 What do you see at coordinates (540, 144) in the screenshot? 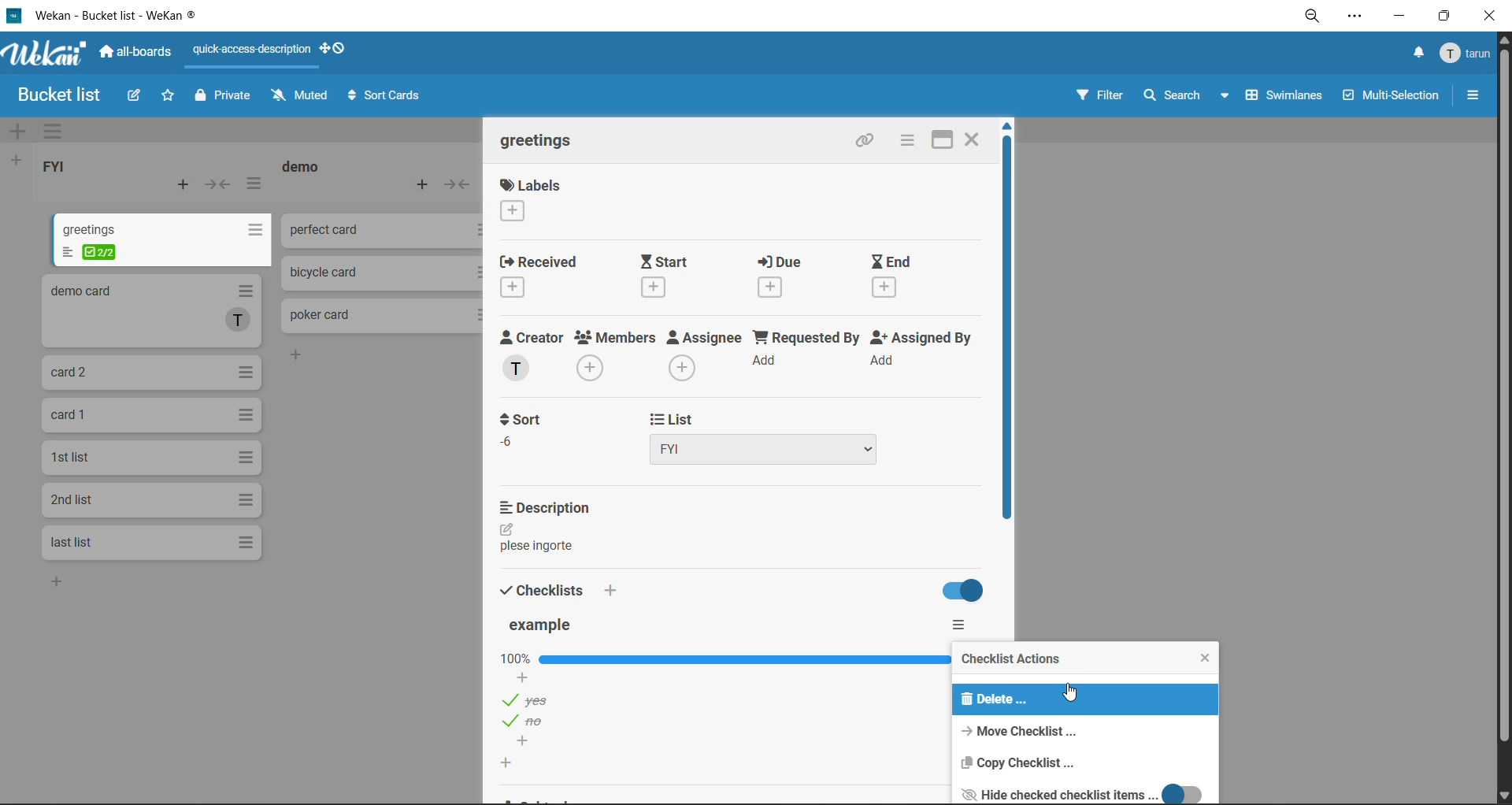
I see `card title` at bounding box center [540, 144].